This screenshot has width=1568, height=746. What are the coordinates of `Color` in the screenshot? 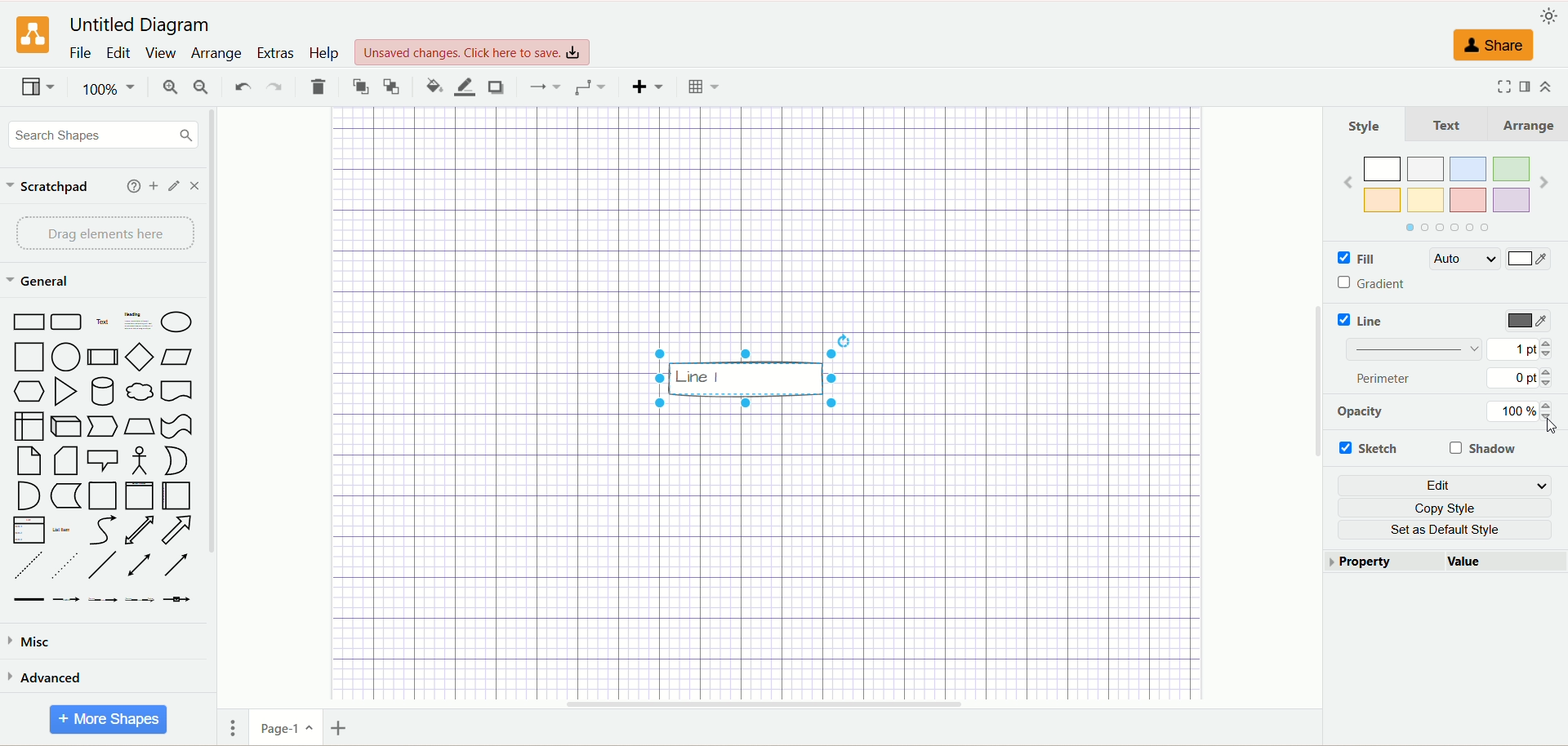 It's located at (1532, 262).